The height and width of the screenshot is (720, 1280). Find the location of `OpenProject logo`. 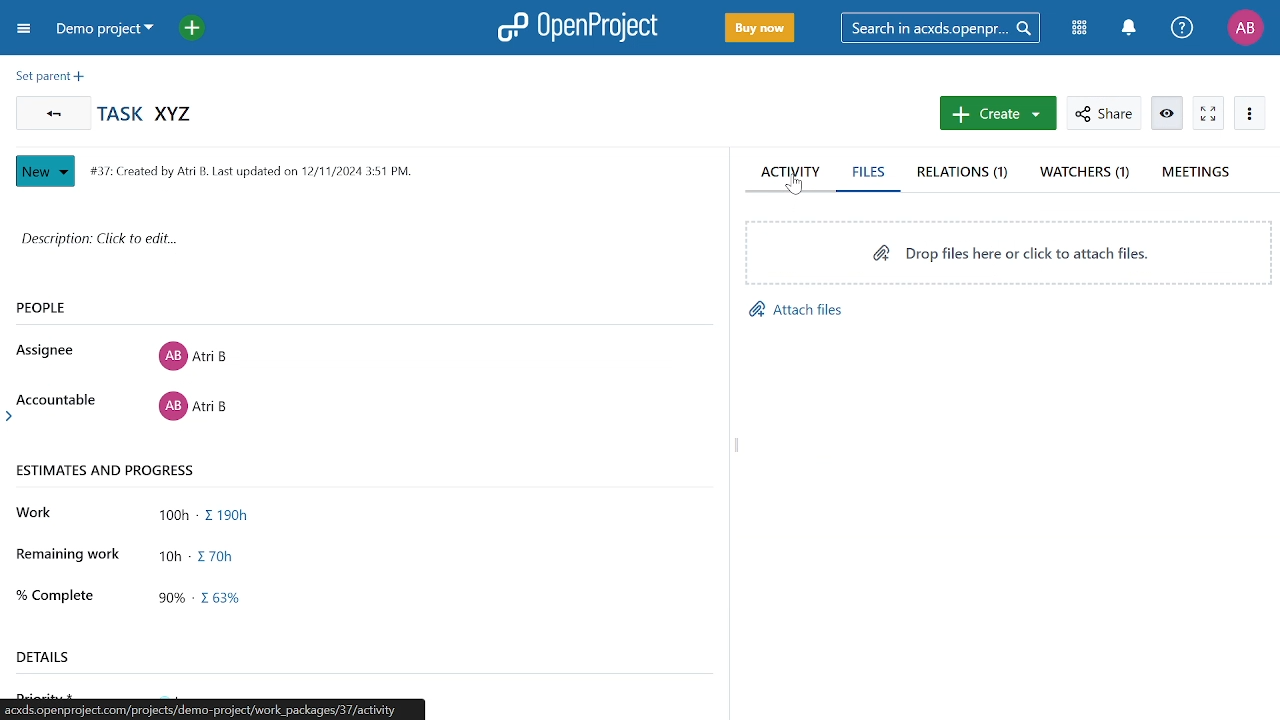

OpenProject logo is located at coordinates (582, 24).